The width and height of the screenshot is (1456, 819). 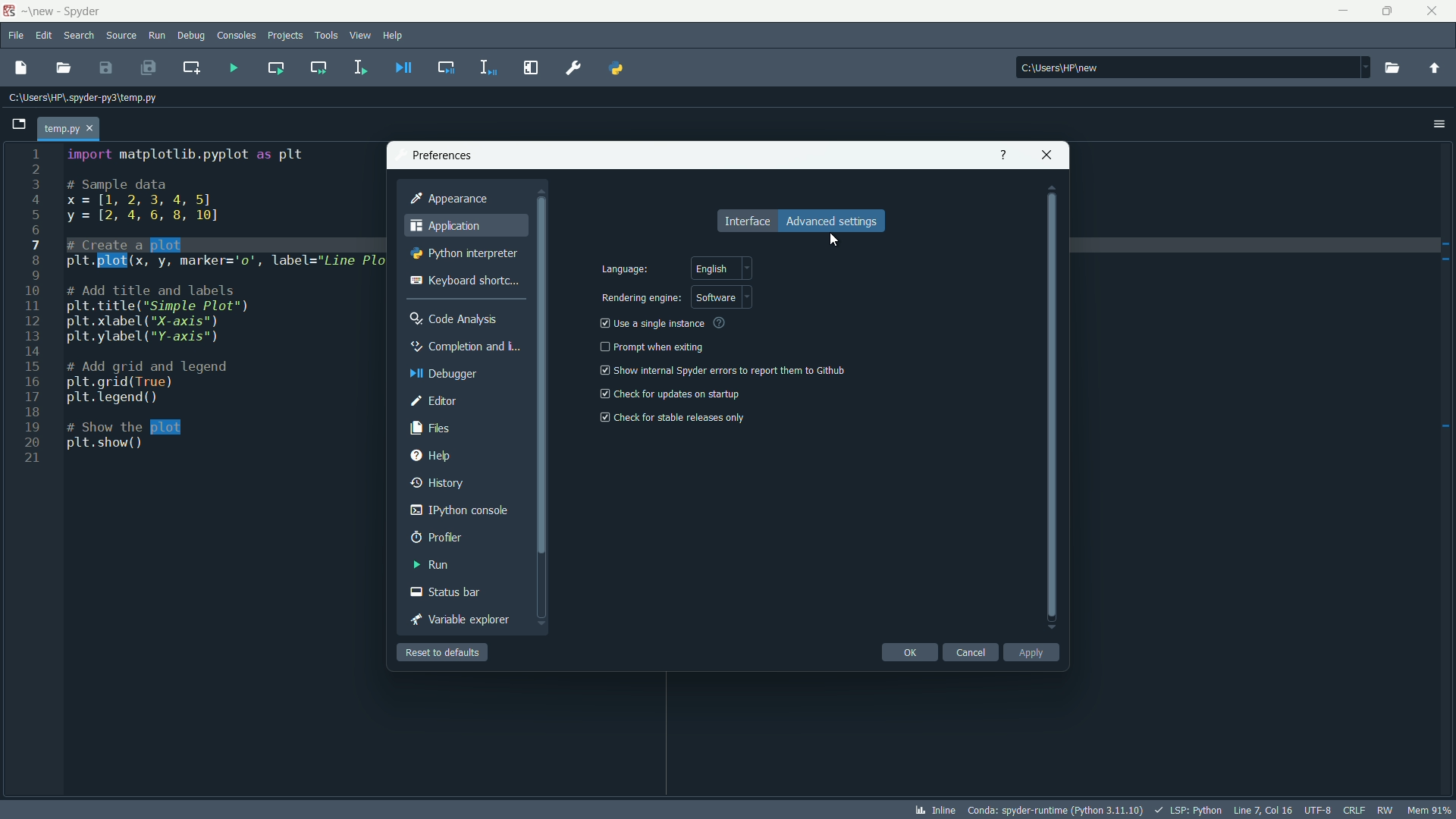 What do you see at coordinates (438, 155) in the screenshot?
I see `preferences` at bounding box center [438, 155].